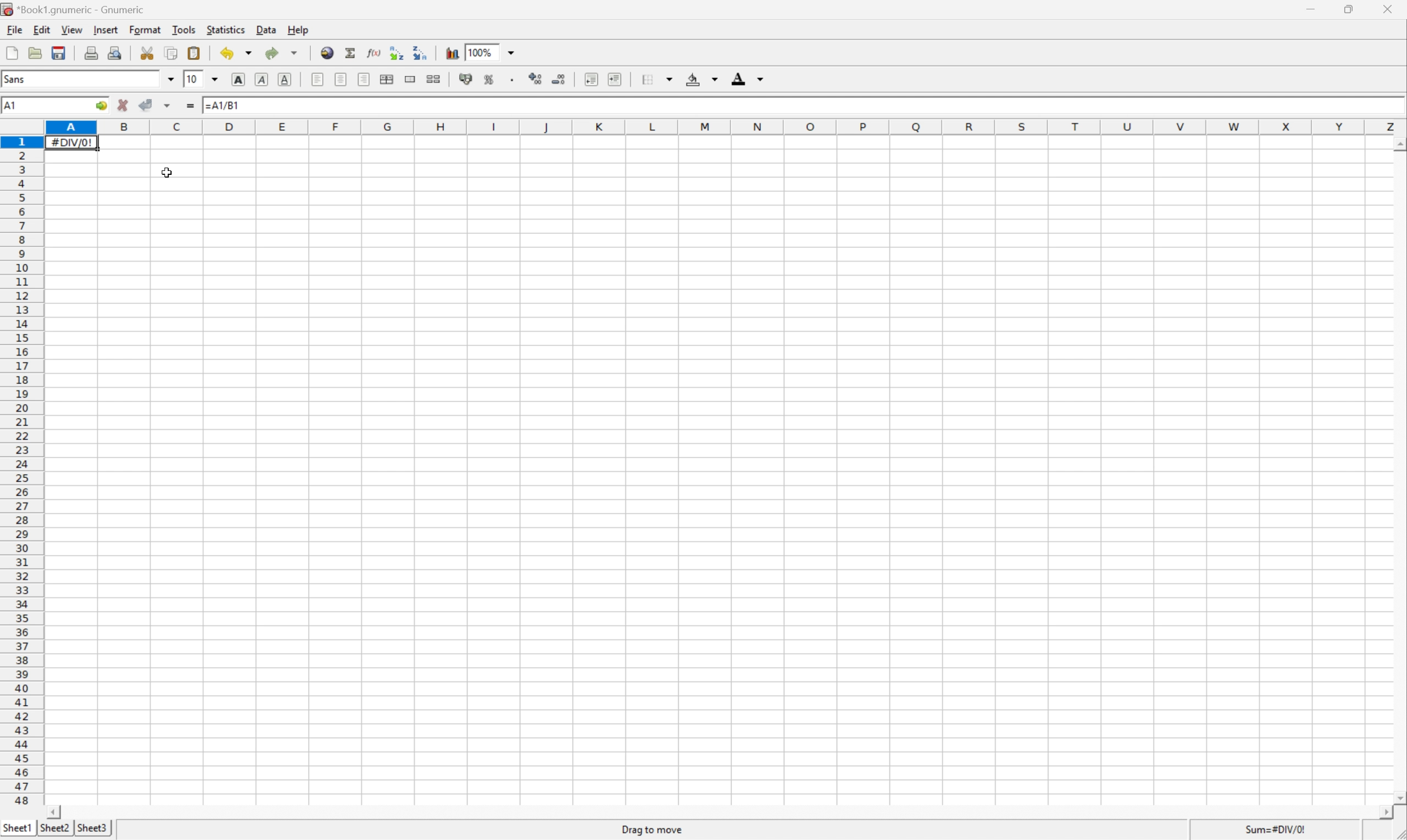 The height and width of the screenshot is (840, 1407). What do you see at coordinates (1272, 827) in the screenshot?
I see `Sum=#DIV/0!` at bounding box center [1272, 827].